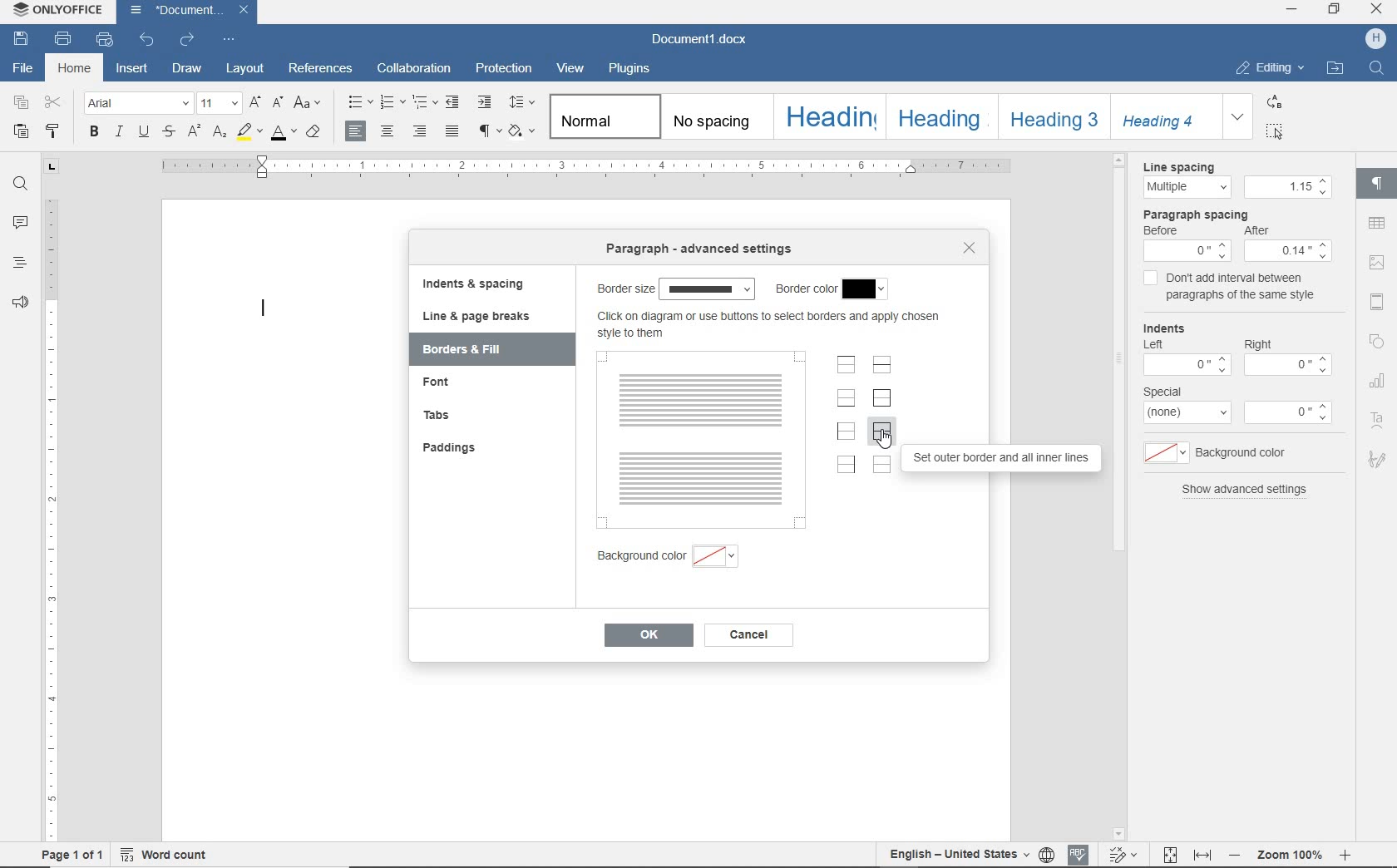 This screenshot has width=1397, height=868. I want to click on chart, so click(1377, 380).